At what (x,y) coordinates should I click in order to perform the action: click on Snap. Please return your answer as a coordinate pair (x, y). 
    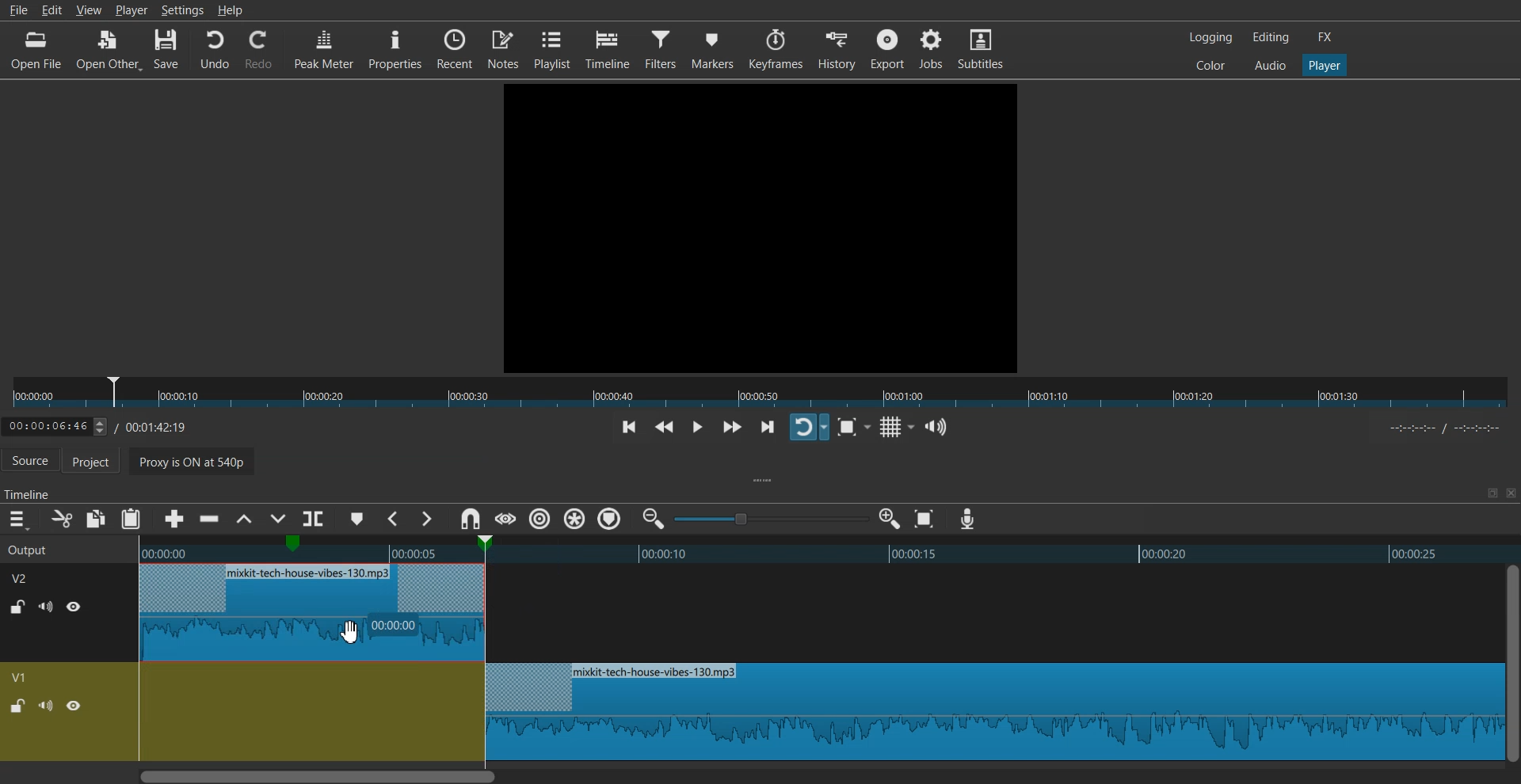
    Looking at the image, I should click on (470, 519).